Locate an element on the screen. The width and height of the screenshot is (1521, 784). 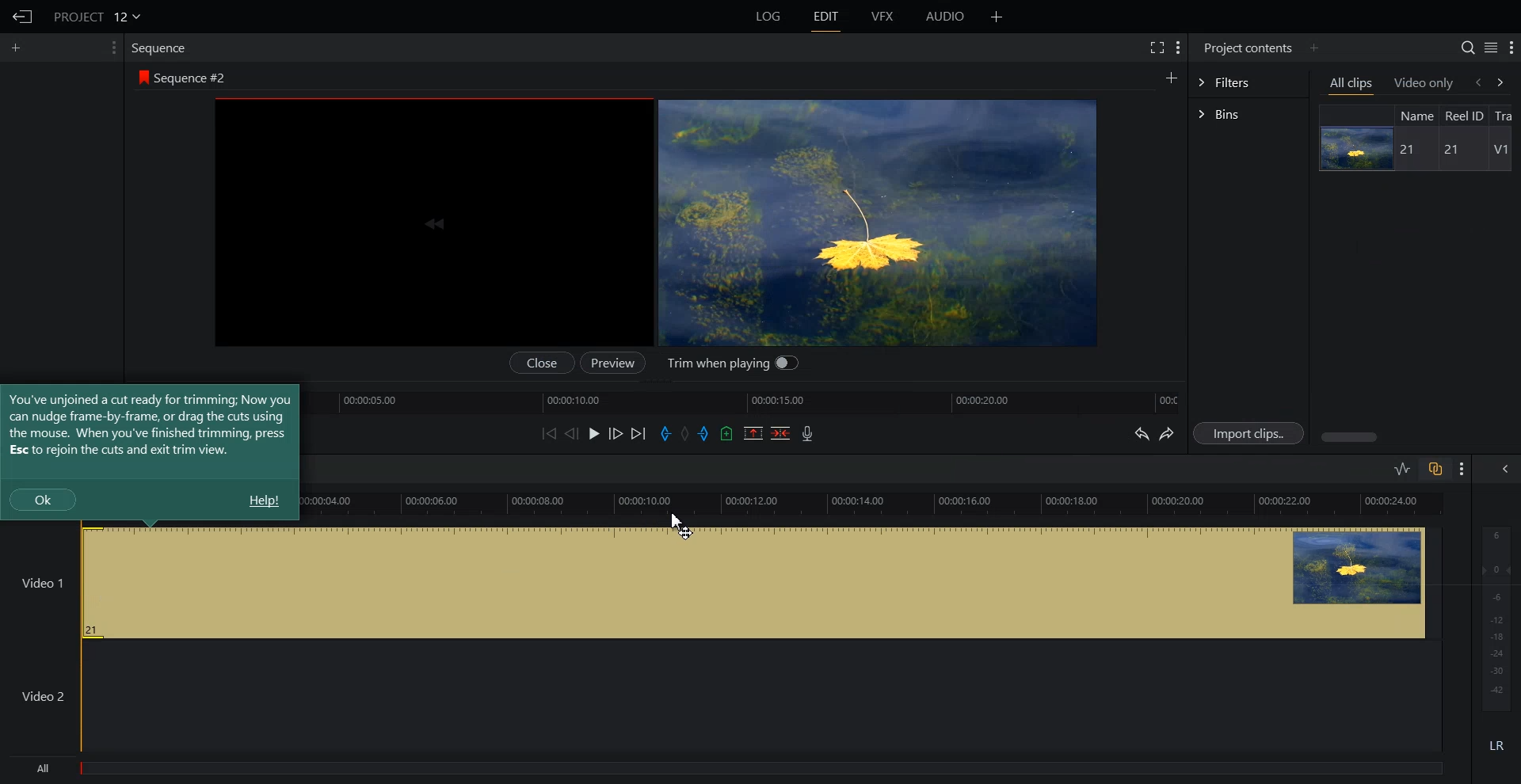
Undo is located at coordinates (1140, 432).